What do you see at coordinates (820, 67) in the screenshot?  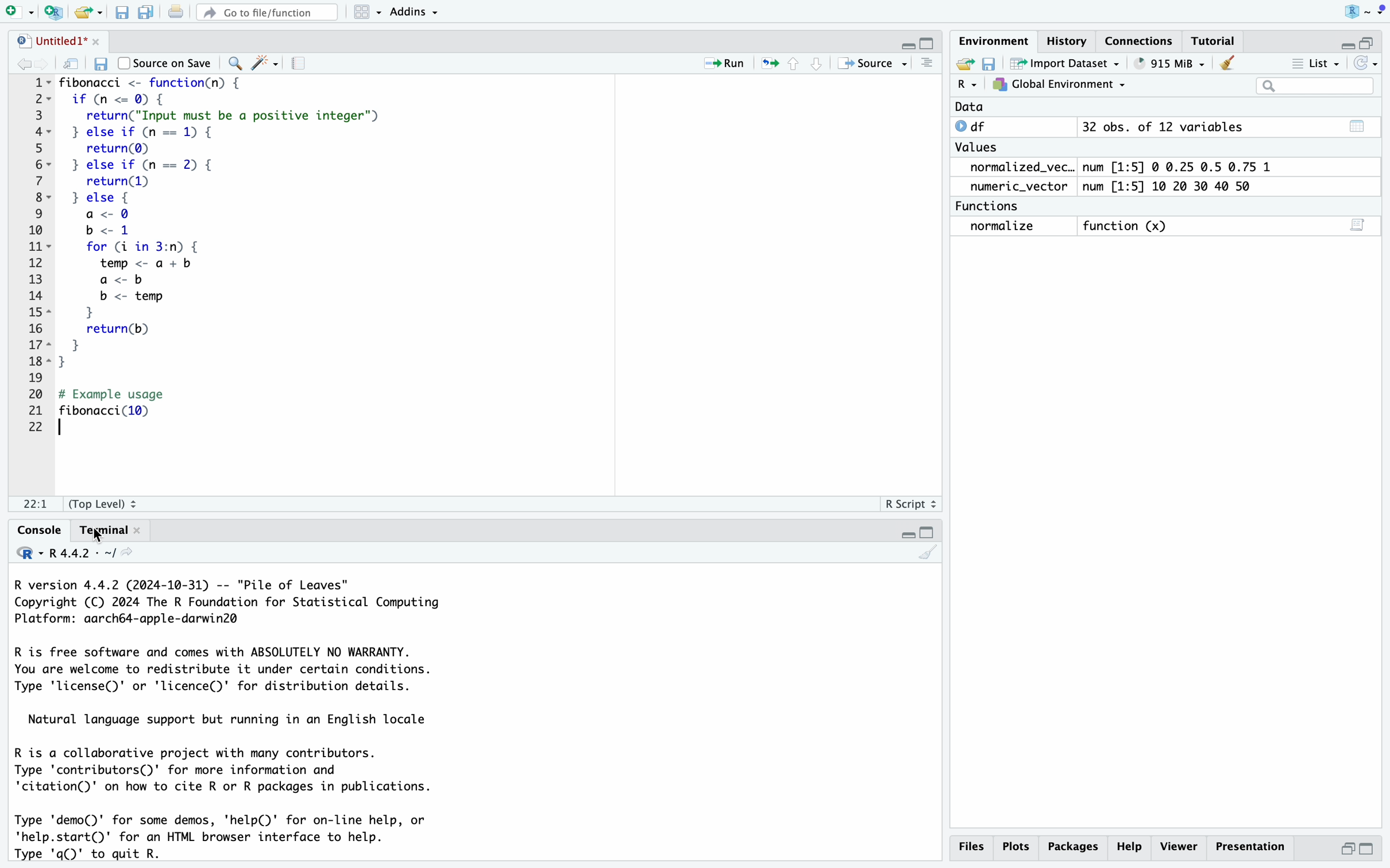 I see `go to next section/chunk` at bounding box center [820, 67].